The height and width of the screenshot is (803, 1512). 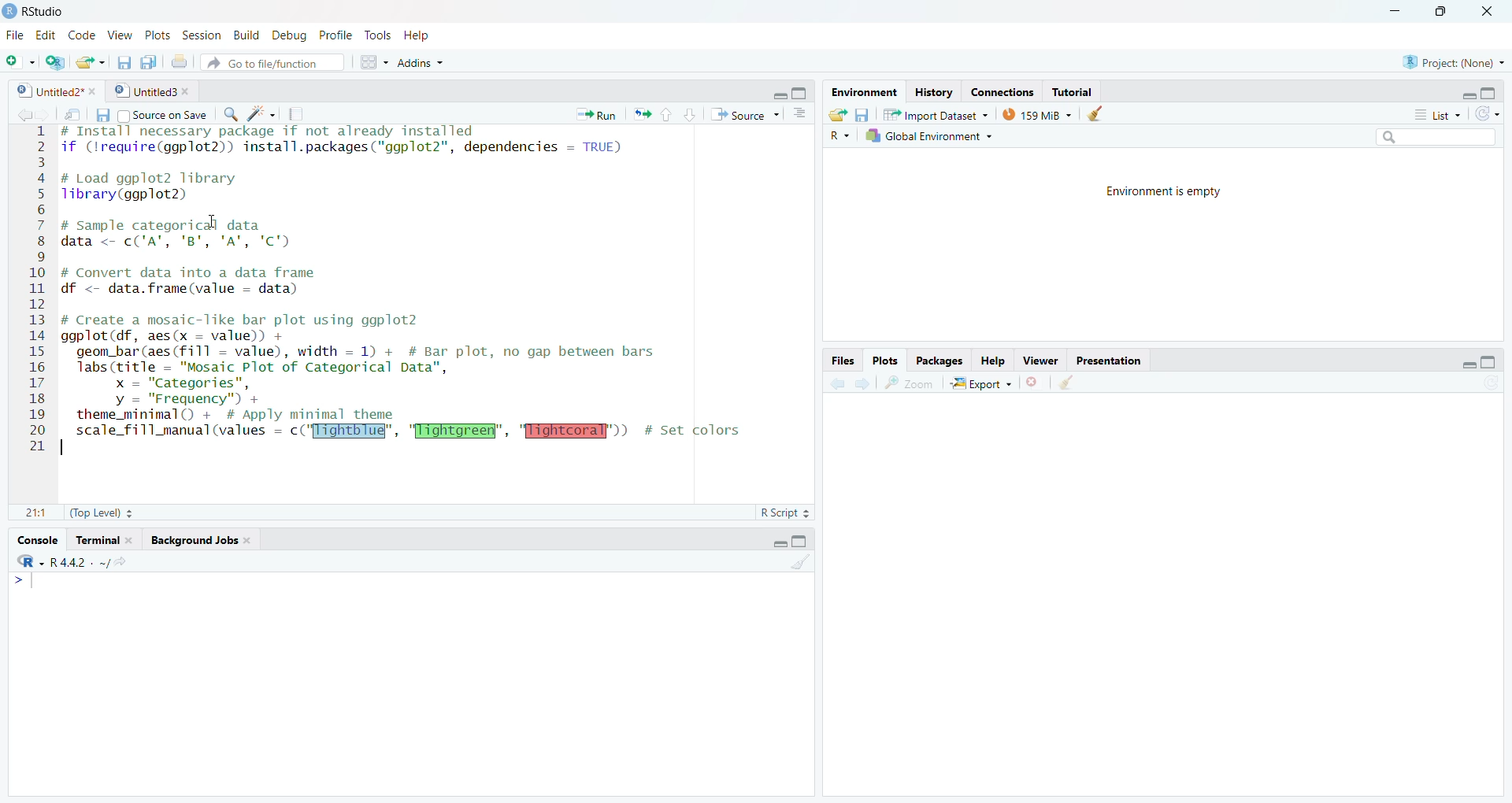 What do you see at coordinates (784, 513) in the screenshot?
I see `R Script` at bounding box center [784, 513].